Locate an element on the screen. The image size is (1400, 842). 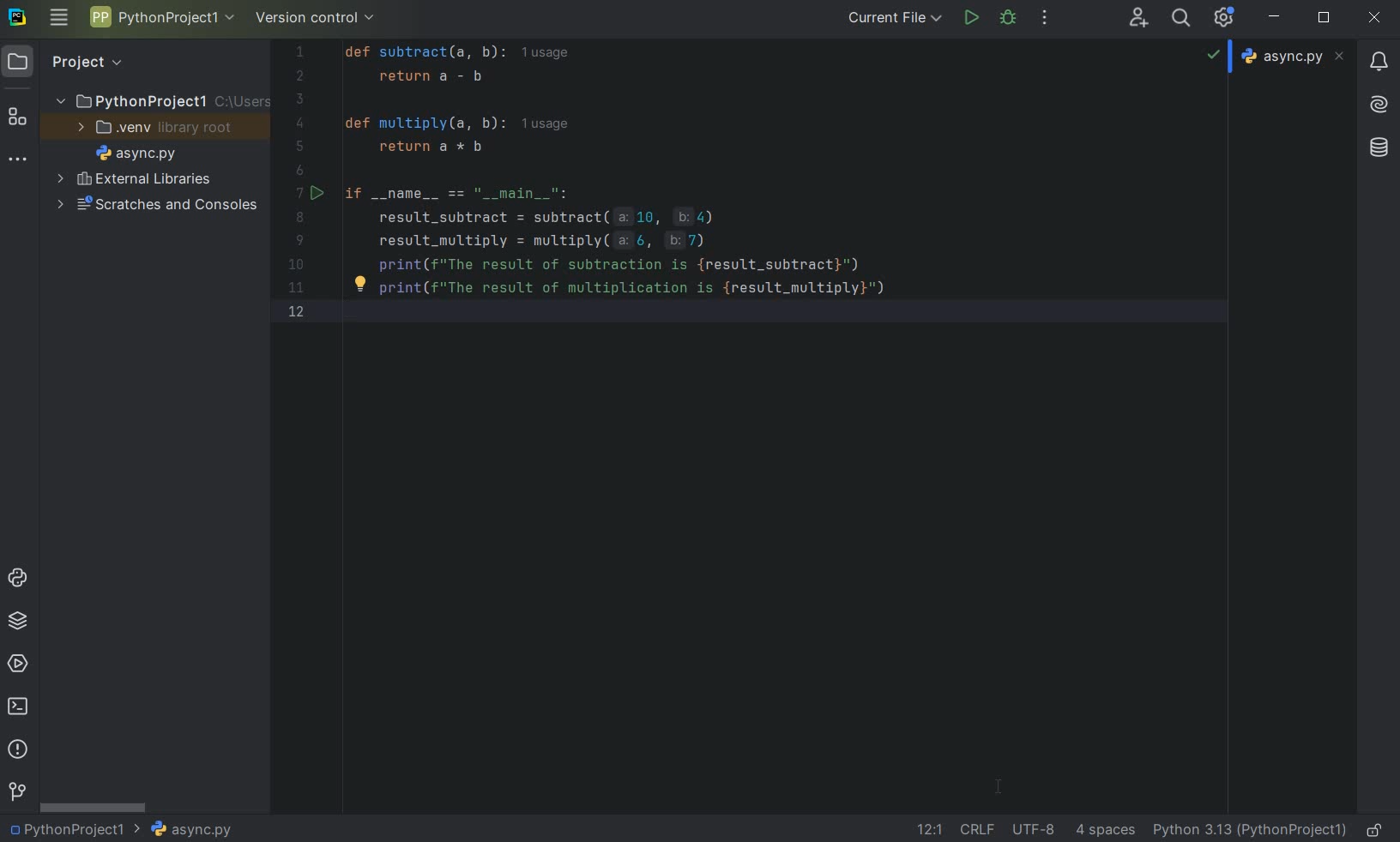
system logo is located at coordinates (17, 19).